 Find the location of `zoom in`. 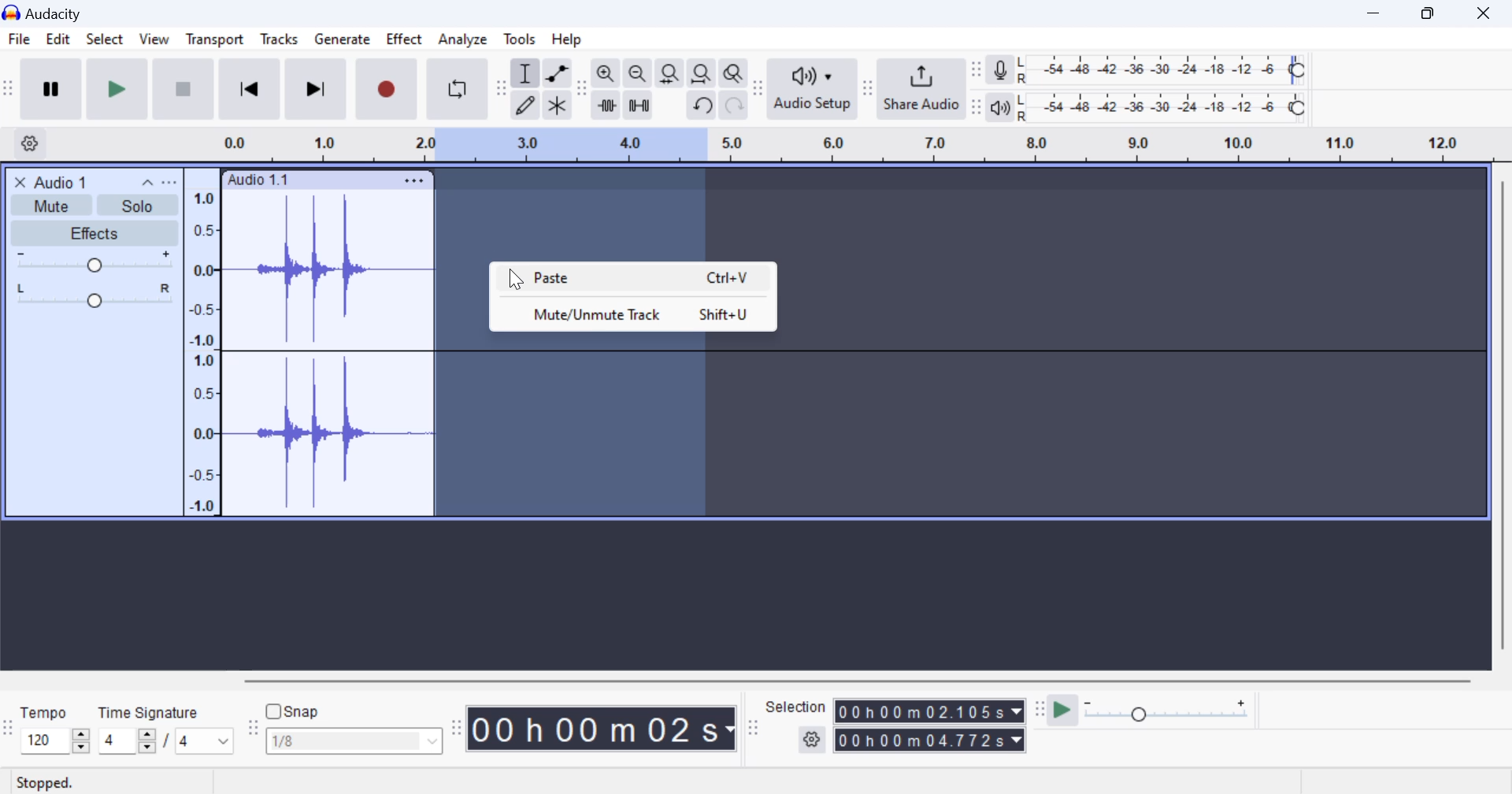

zoom in is located at coordinates (606, 74).